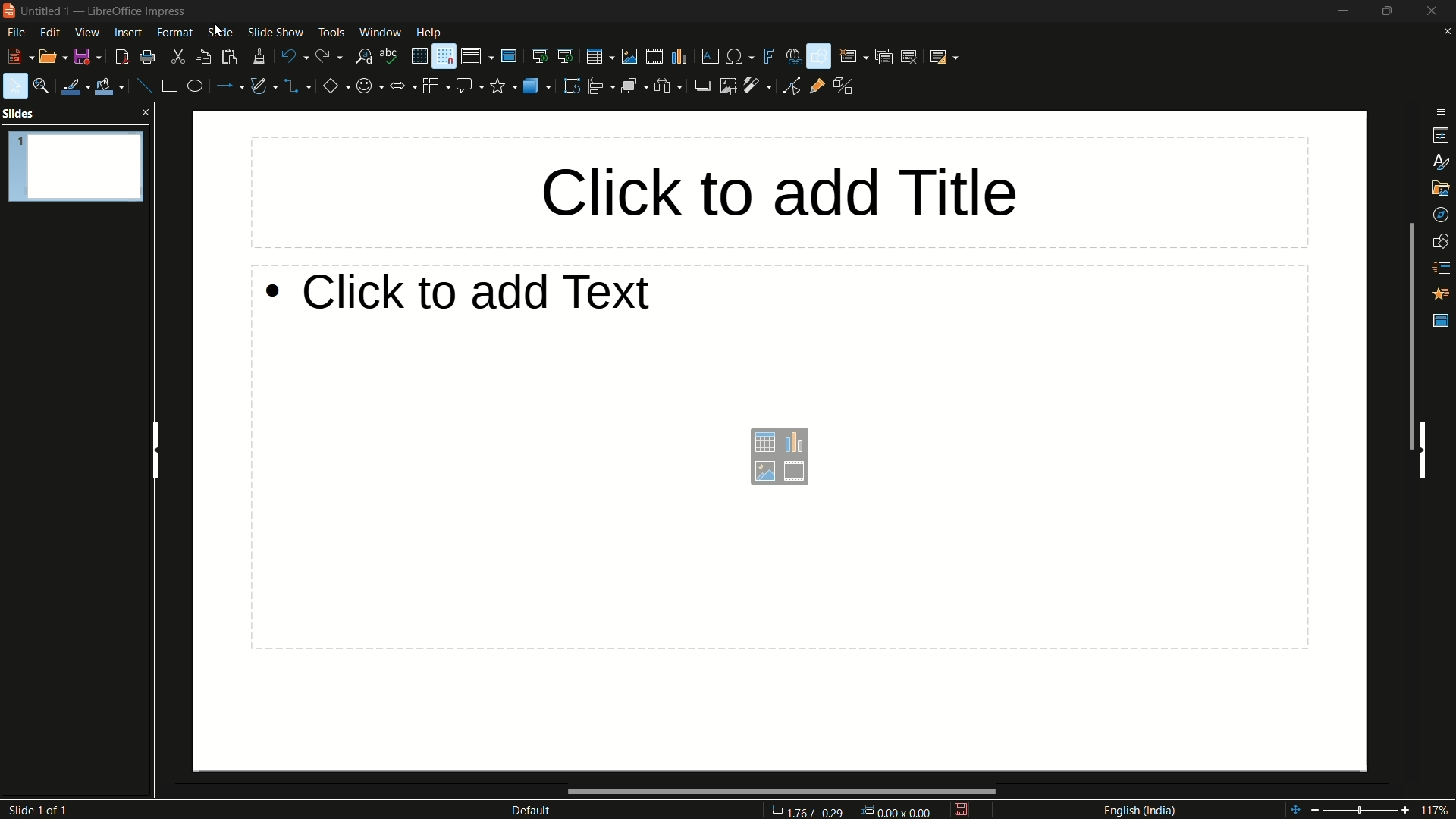 The image size is (1456, 819). I want to click on new slide, so click(853, 56).